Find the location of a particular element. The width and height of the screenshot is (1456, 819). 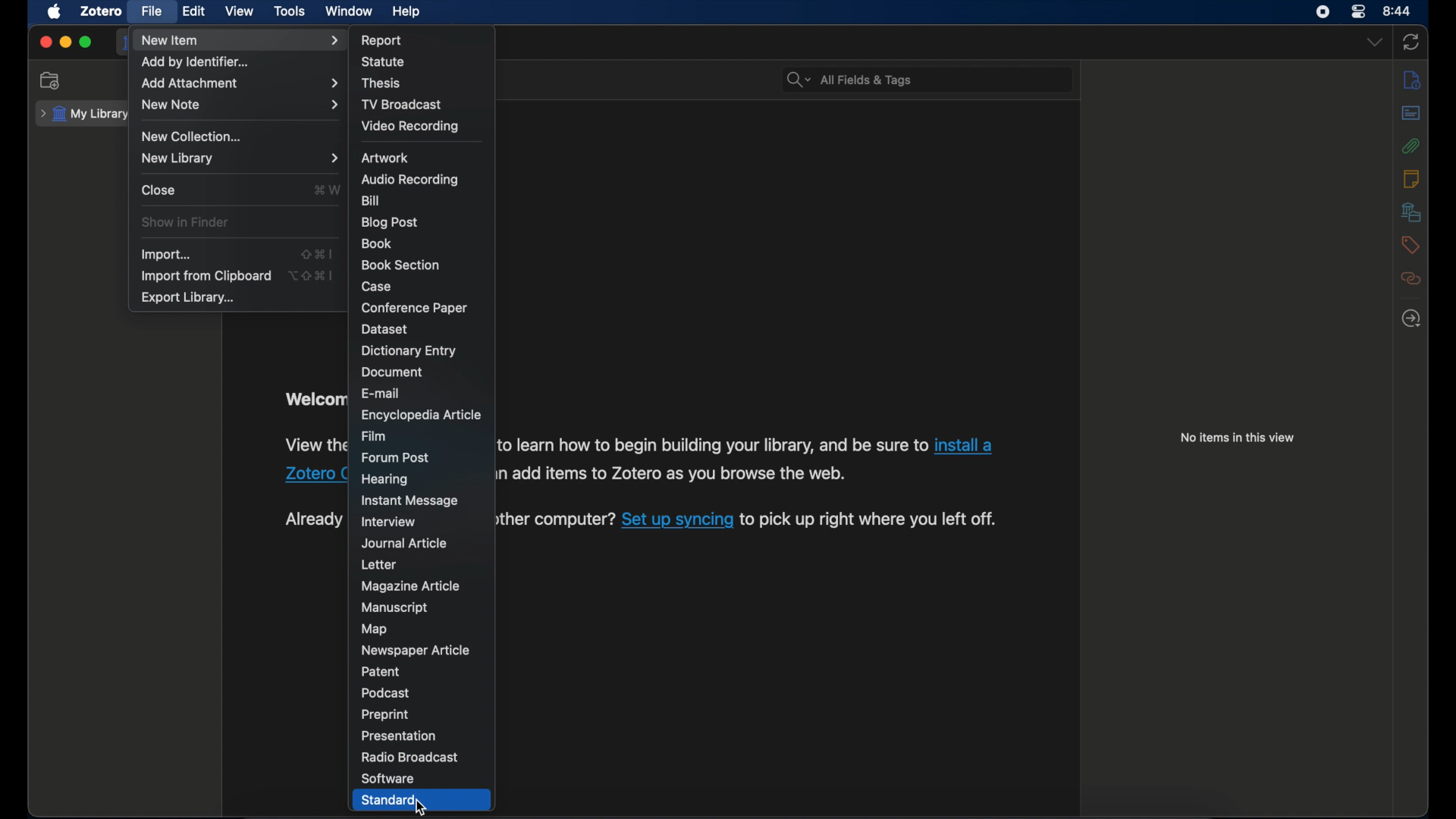

related is located at coordinates (1411, 279).